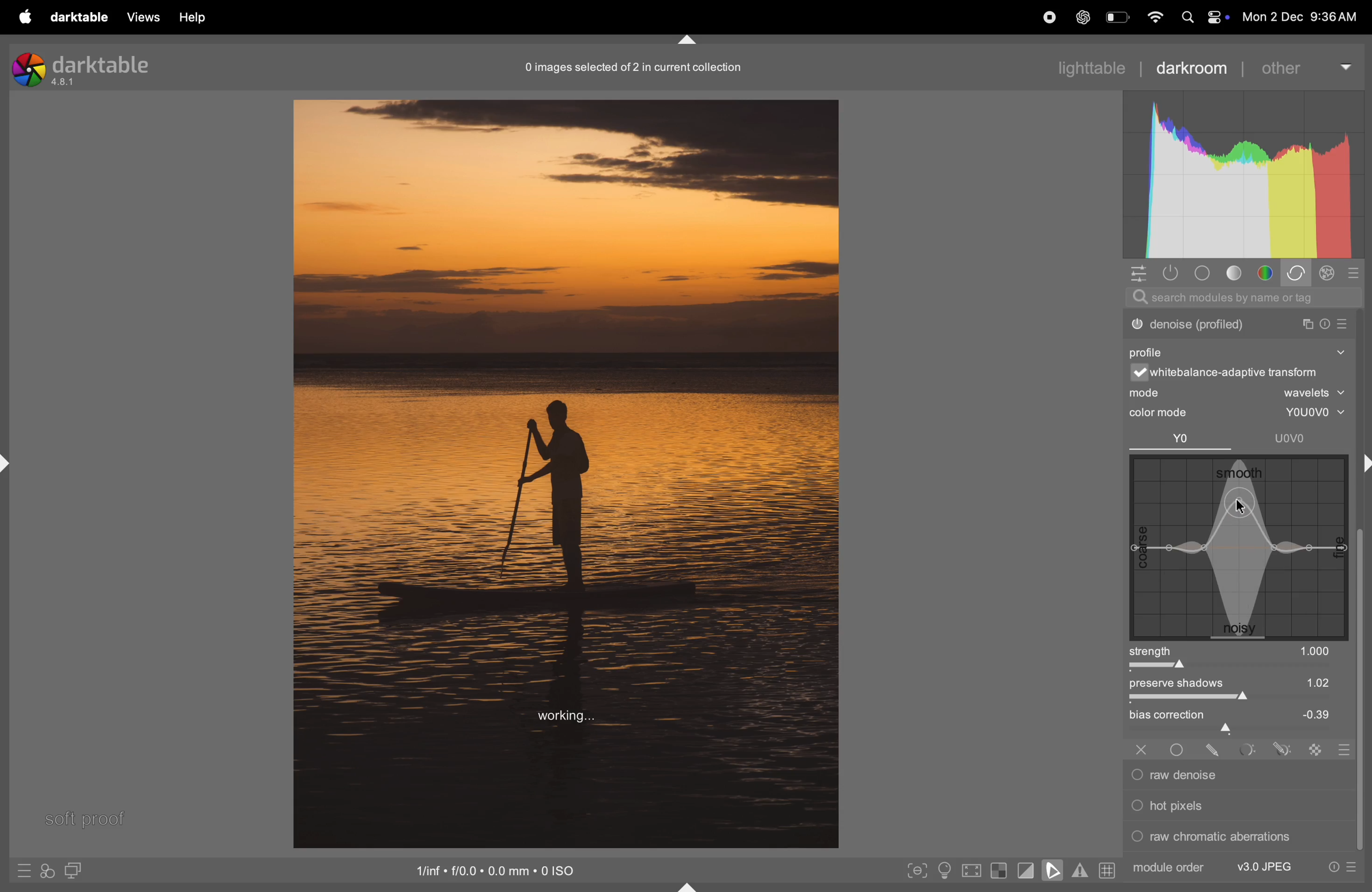  What do you see at coordinates (18, 17) in the screenshot?
I see `apple menu` at bounding box center [18, 17].